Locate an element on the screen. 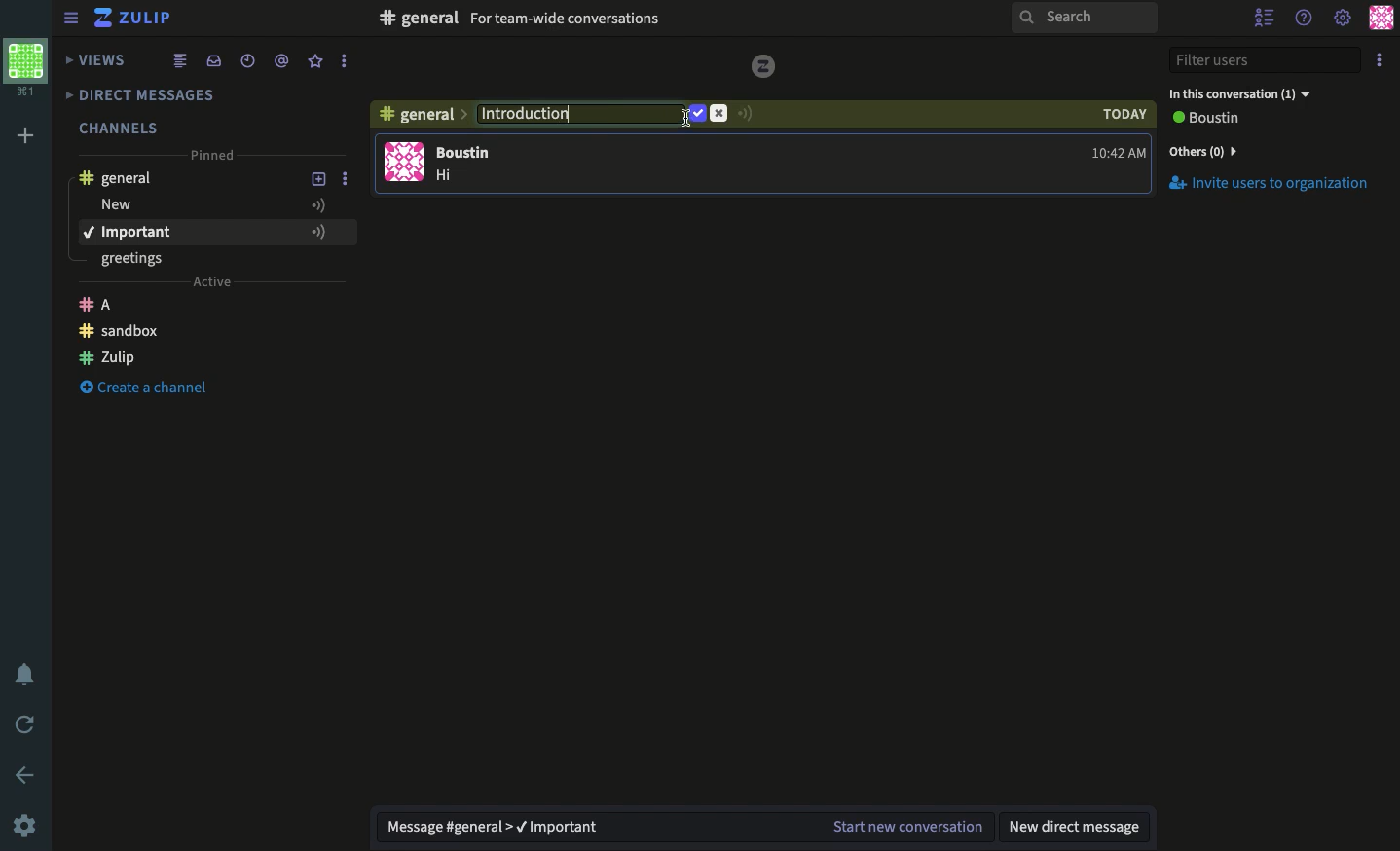 Image resolution: width=1400 pixels, height=851 pixels. Cancel is located at coordinates (720, 114).